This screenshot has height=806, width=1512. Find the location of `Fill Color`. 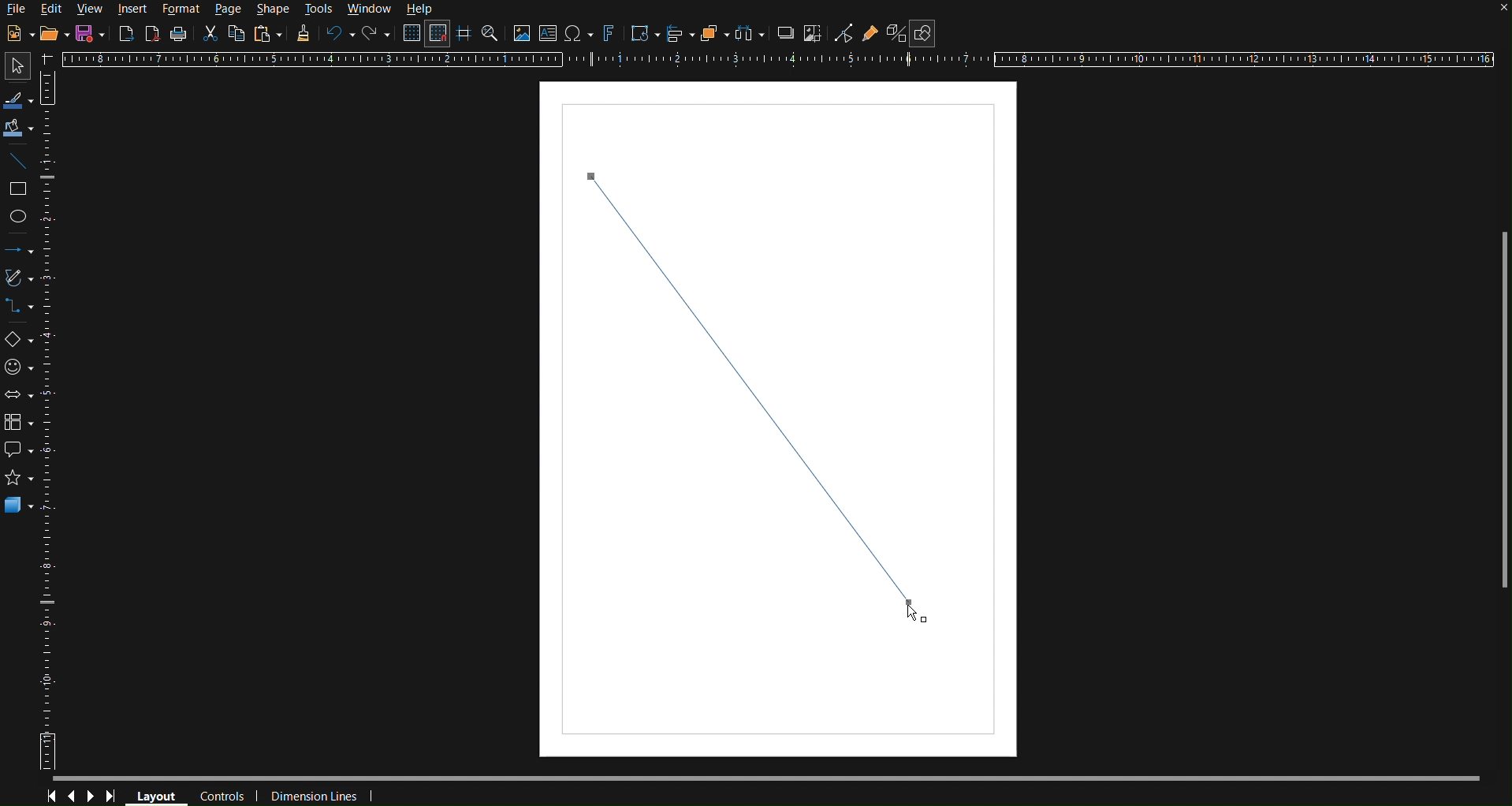

Fill Color is located at coordinates (20, 129).